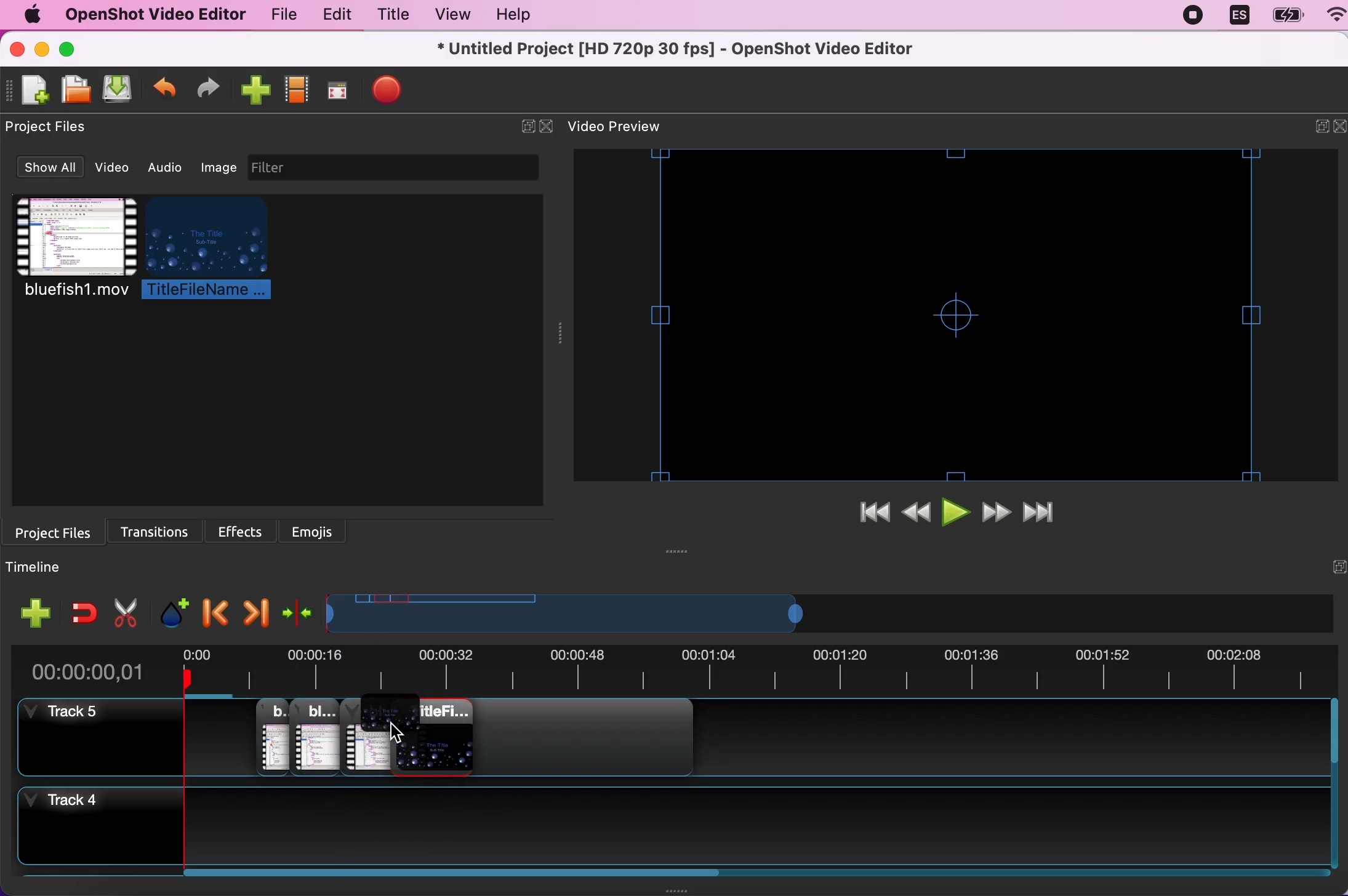 The height and width of the screenshot is (896, 1348). I want to click on jump to start, so click(873, 514).